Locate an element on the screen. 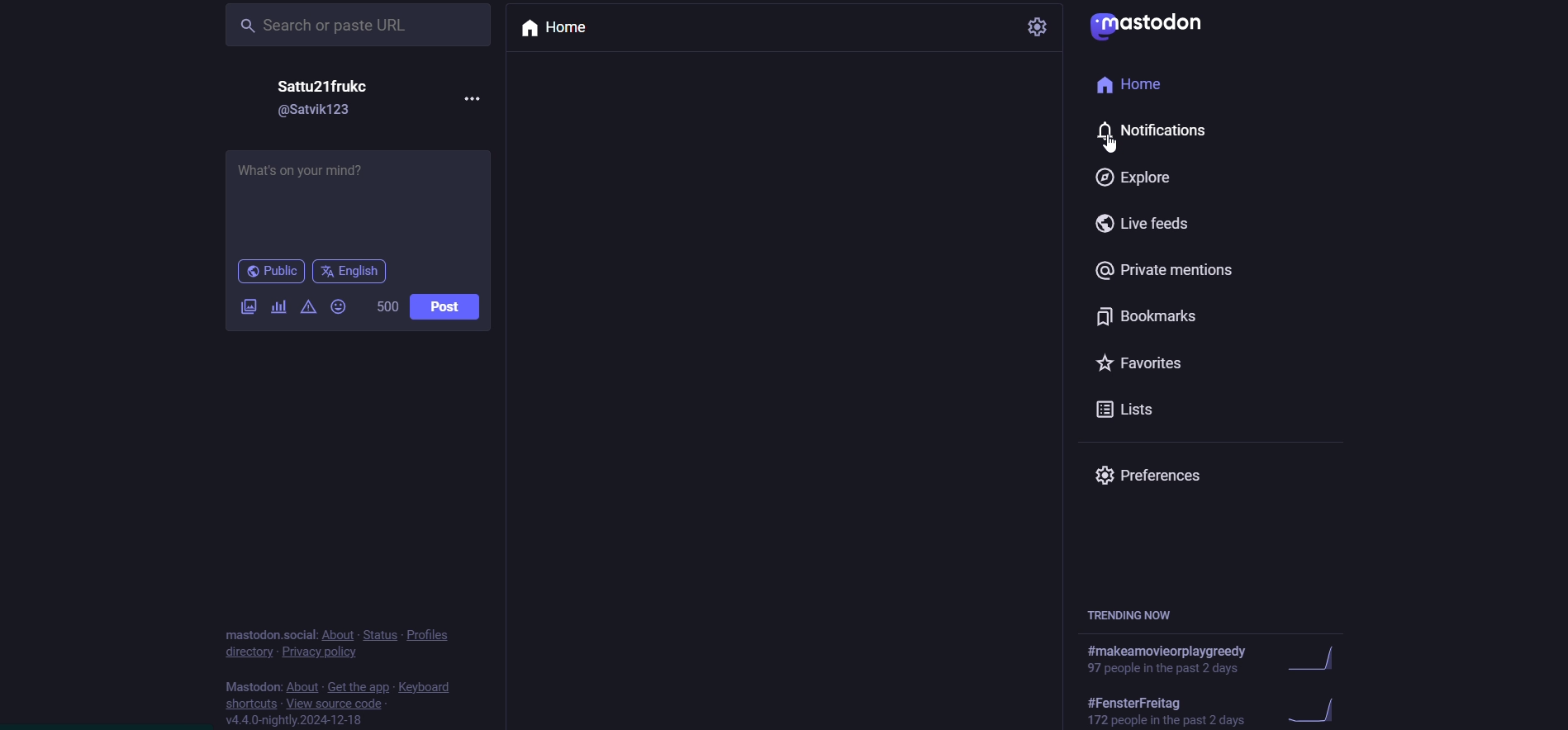 This screenshot has width=1568, height=730. v4.4.0-nightly.2024-12-18 is located at coordinates (298, 721).